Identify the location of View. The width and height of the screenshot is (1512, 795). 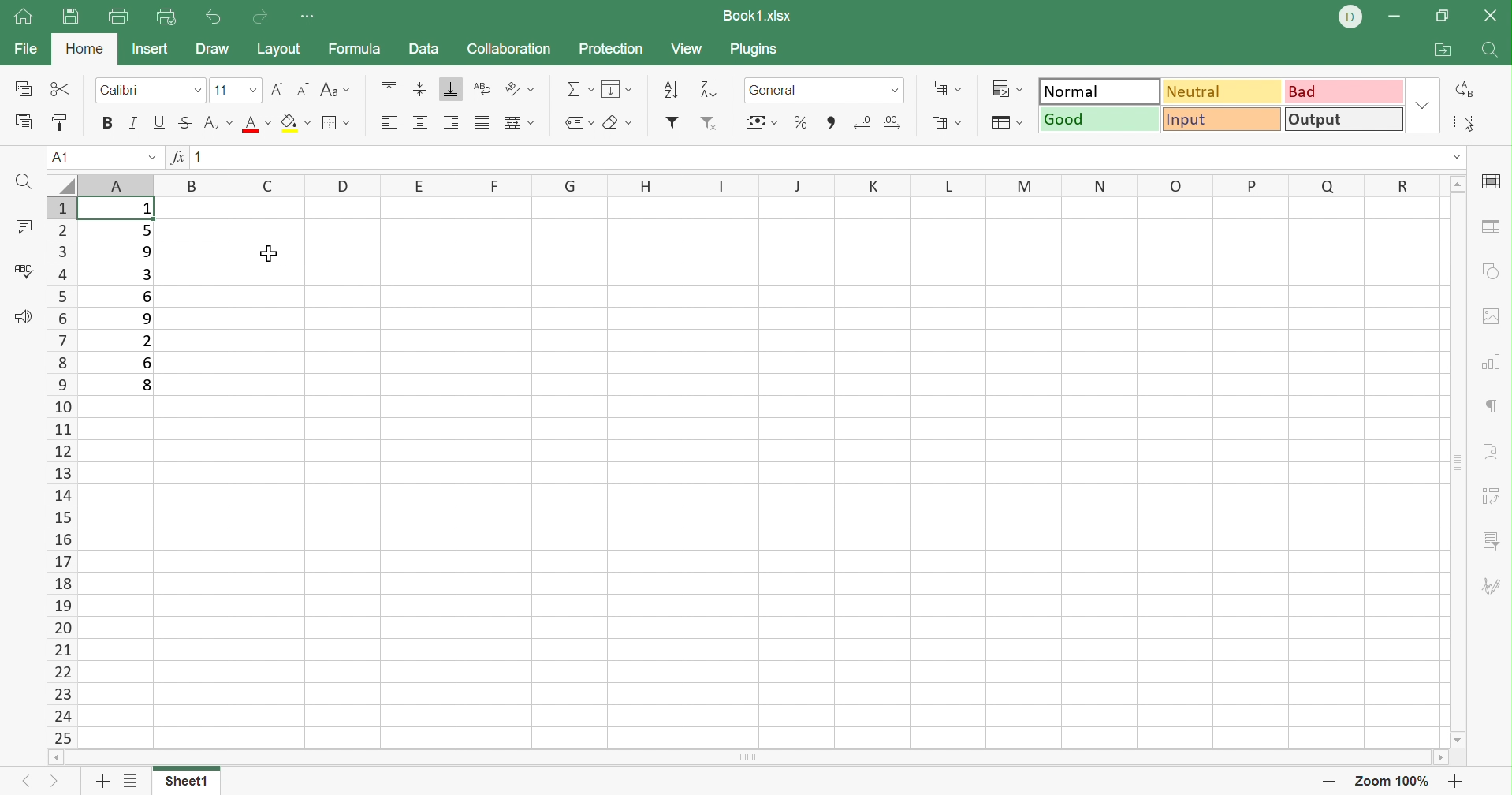
(688, 49).